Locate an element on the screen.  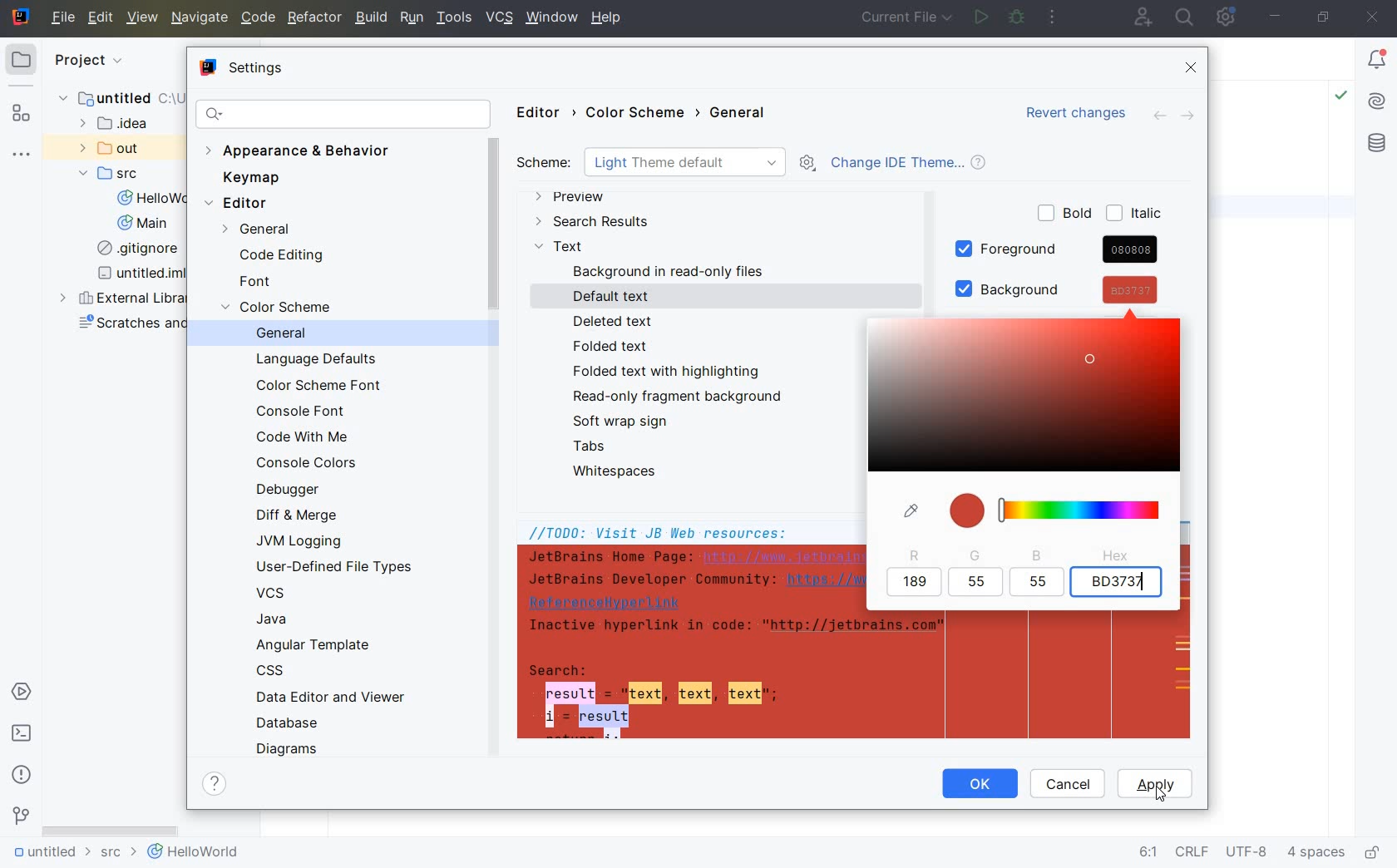
Main is located at coordinates (143, 225).